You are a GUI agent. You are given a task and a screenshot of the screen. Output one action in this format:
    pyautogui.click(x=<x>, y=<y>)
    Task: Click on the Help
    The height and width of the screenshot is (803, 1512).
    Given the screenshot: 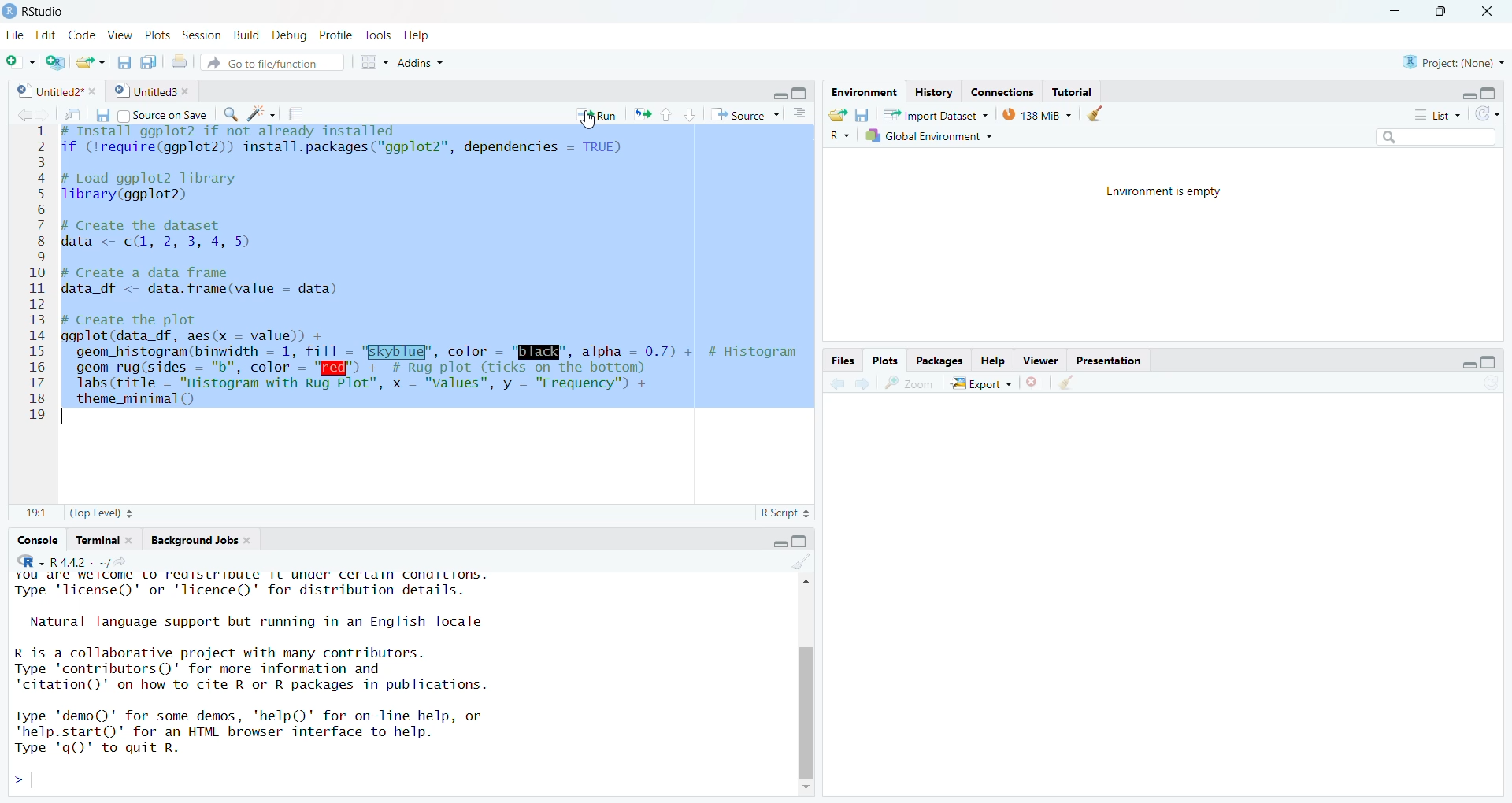 What is the action you would take?
    pyautogui.click(x=987, y=361)
    